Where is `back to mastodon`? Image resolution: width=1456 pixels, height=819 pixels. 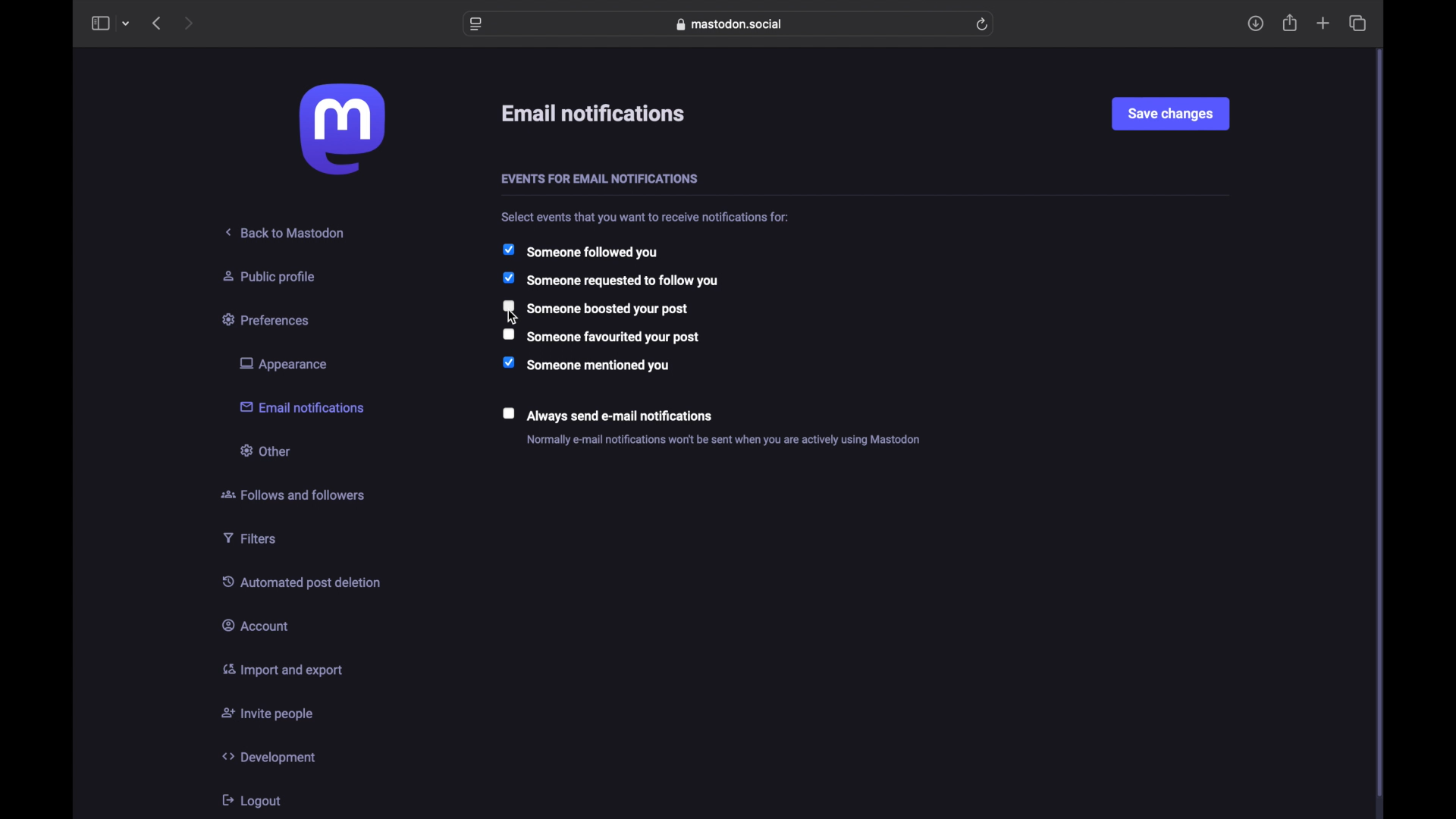
back to mastodon is located at coordinates (286, 232).